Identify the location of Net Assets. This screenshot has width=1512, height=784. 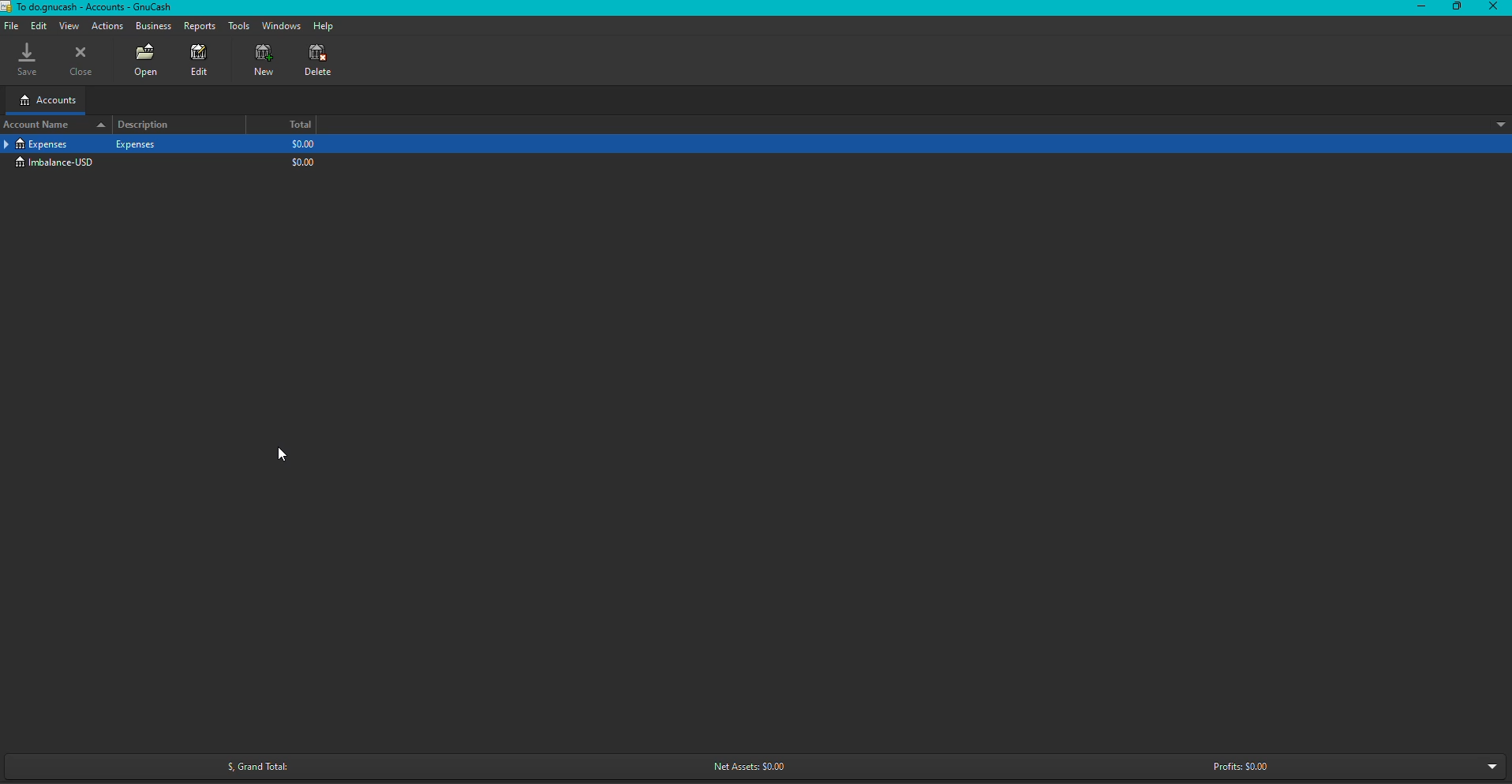
(750, 763).